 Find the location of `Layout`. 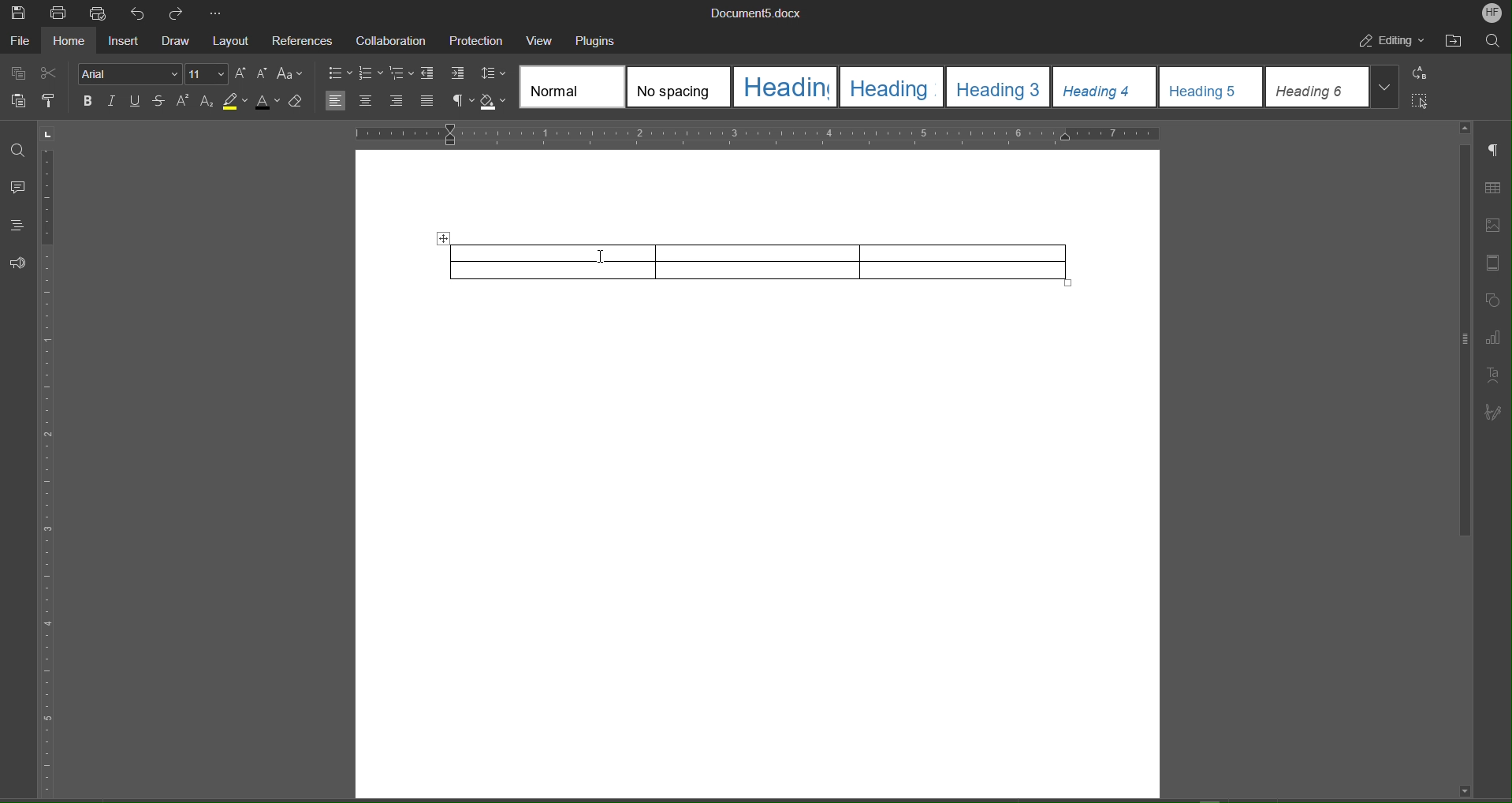

Layout is located at coordinates (234, 43).